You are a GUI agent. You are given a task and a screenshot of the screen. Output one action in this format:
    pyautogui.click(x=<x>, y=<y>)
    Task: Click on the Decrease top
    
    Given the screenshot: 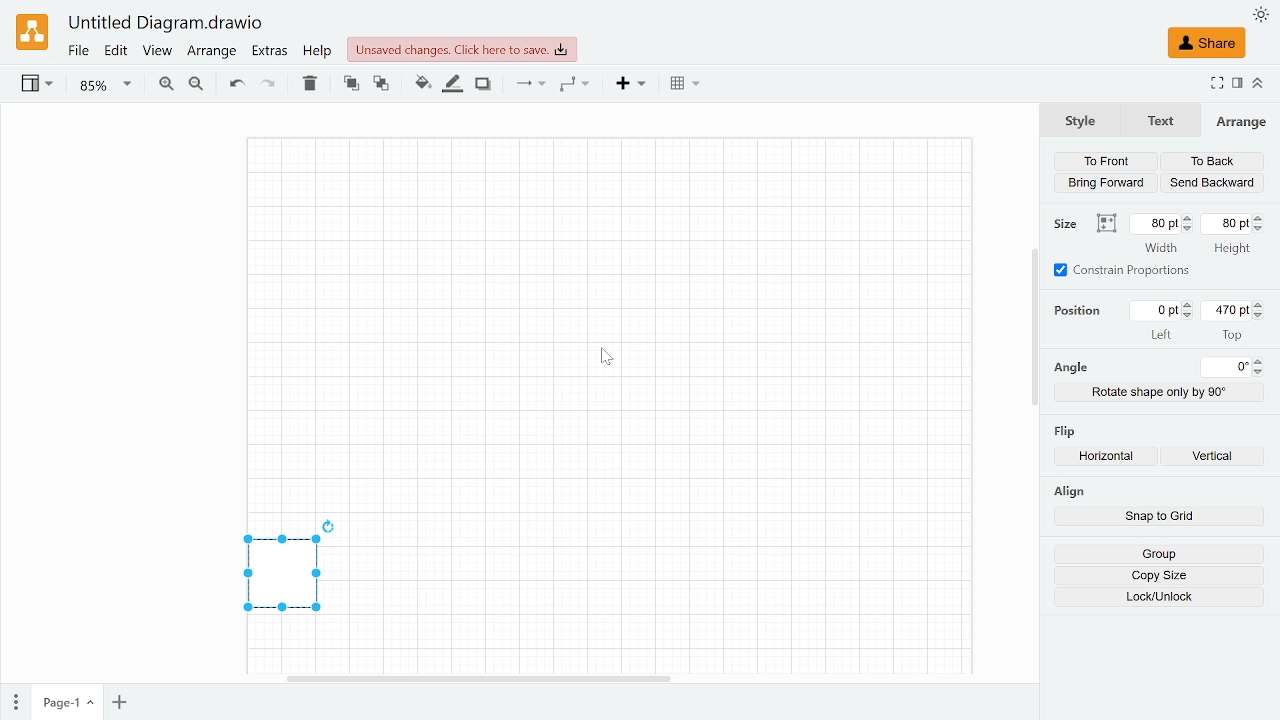 What is the action you would take?
    pyautogui.click(x=1261, y=316)
    